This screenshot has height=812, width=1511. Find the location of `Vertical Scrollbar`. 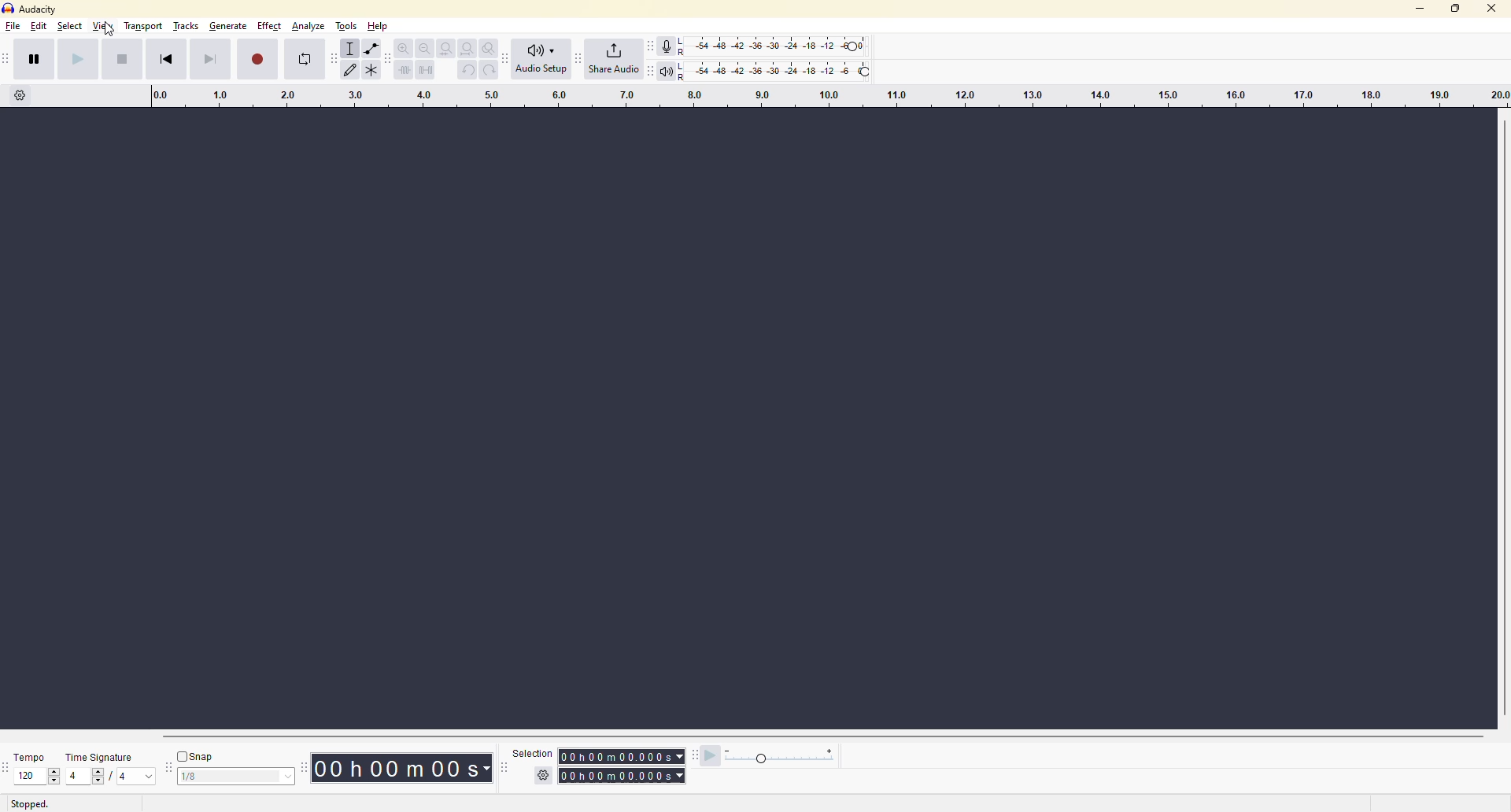

Vertical Scrollbar is located at coordinates (1502, 414).